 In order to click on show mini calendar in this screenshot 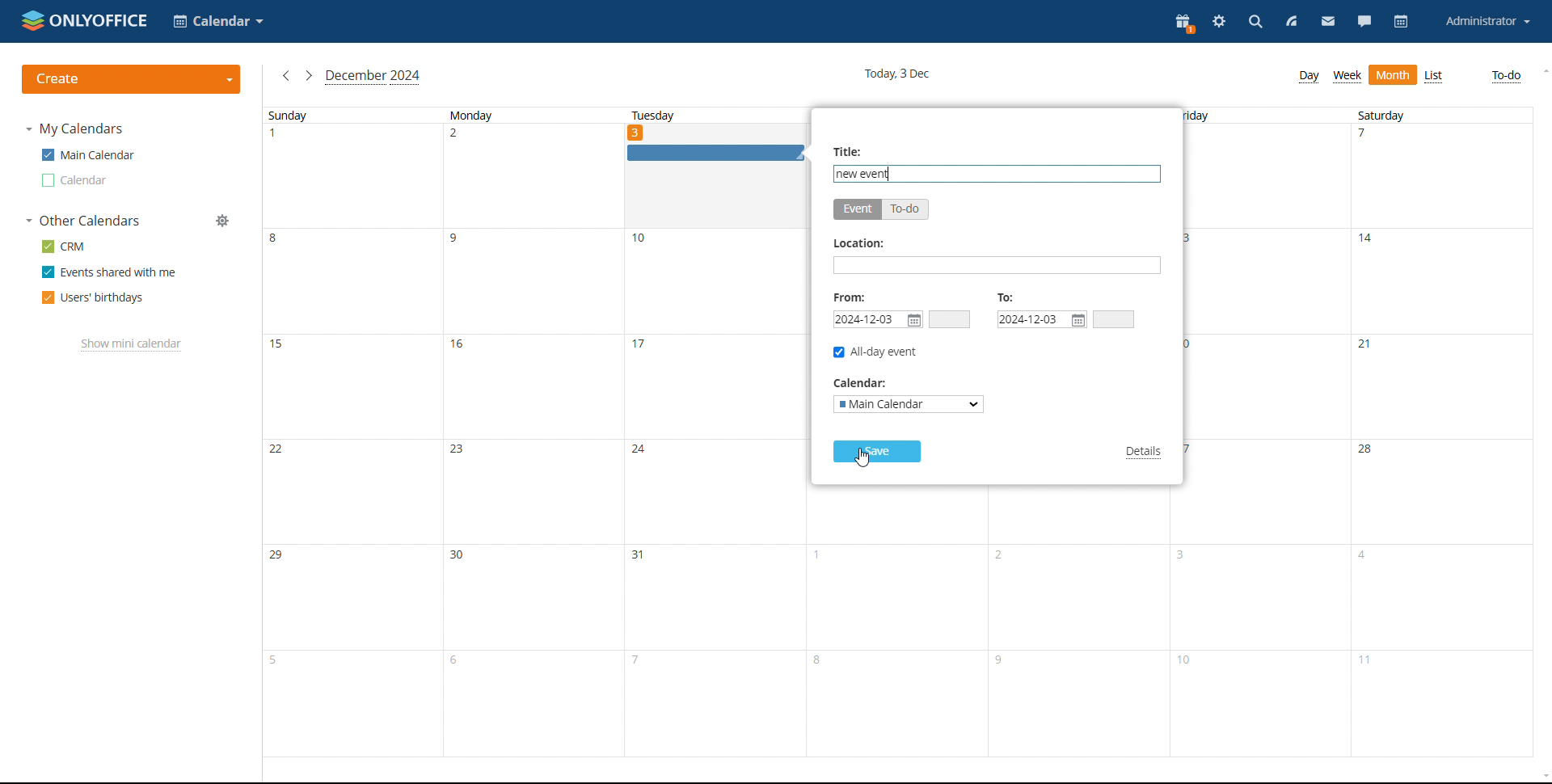, I will do `click(131, 346)`.